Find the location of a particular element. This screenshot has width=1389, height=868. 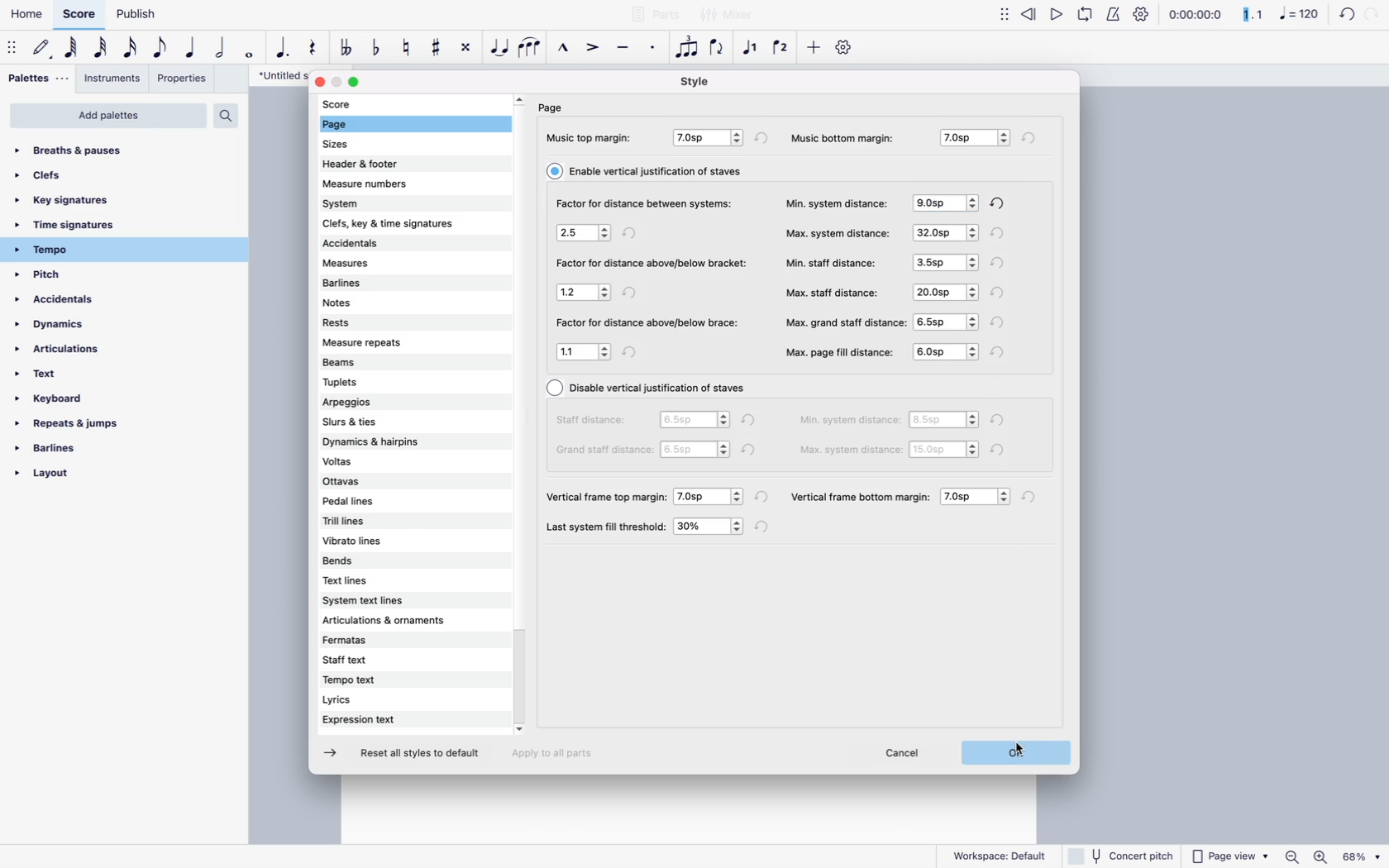

key signatures is located at coordinates (77, 200).